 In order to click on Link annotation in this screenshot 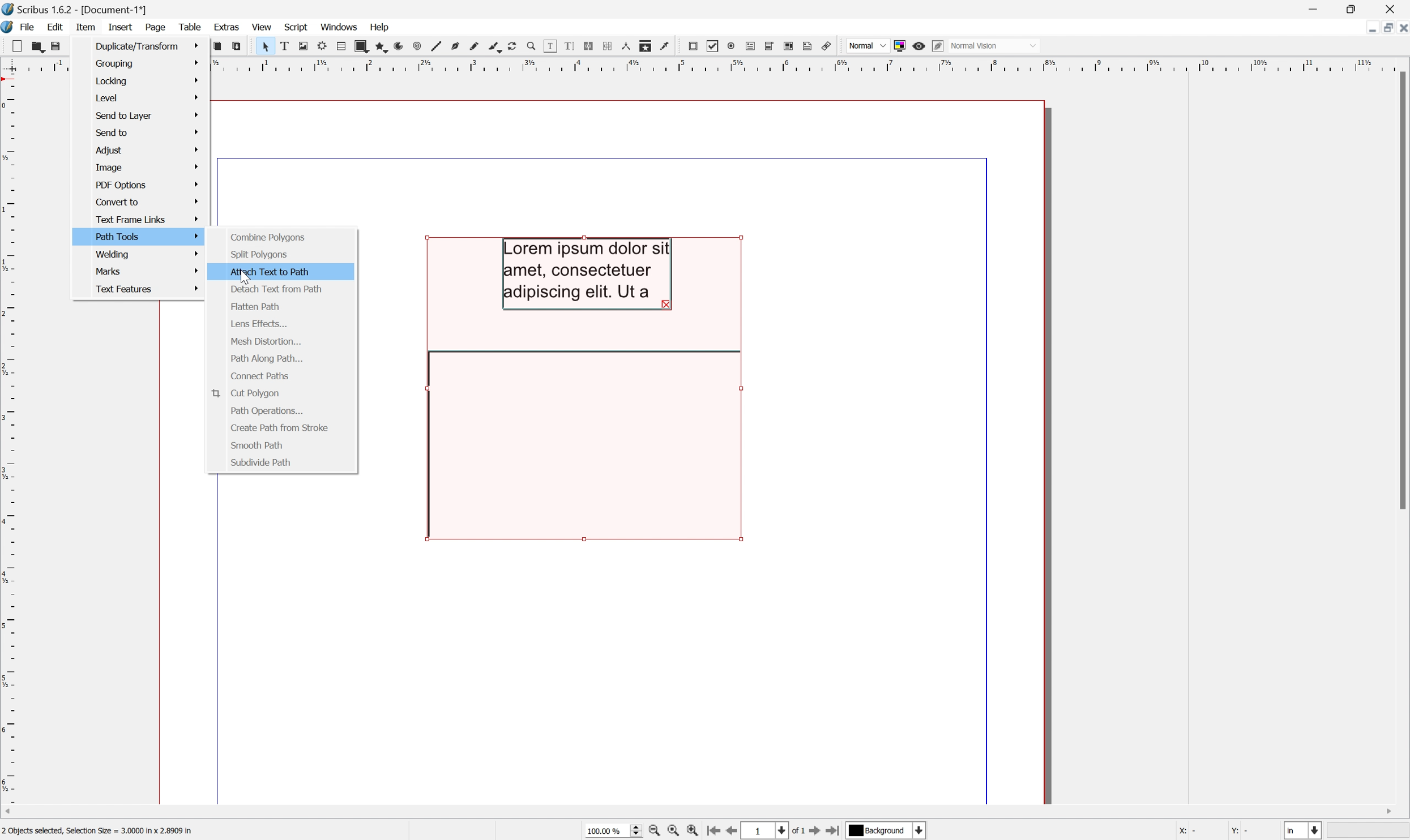, I will do `click(830, 47)`.